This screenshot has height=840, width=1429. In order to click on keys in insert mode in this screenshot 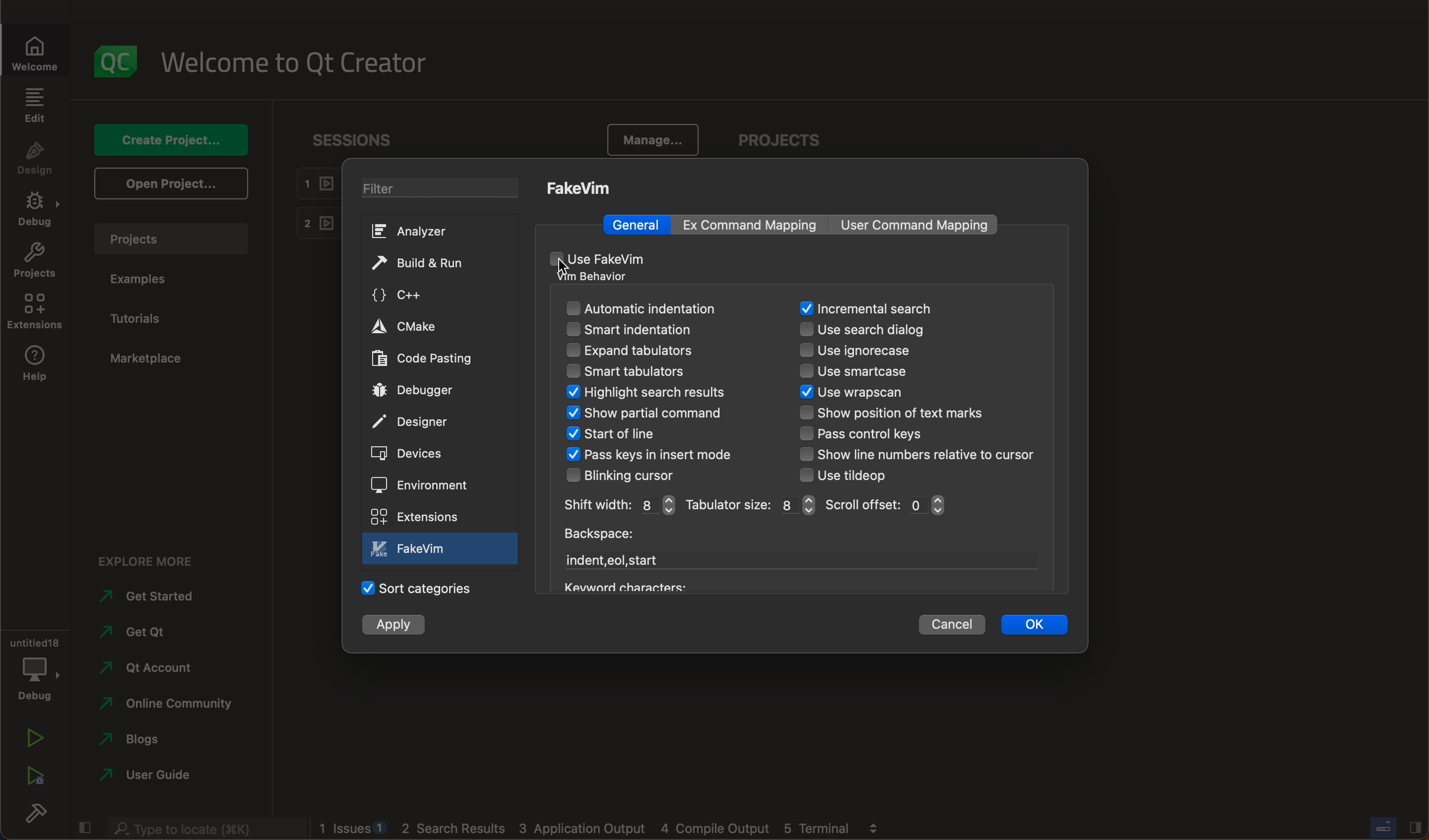, I will do `click(667, 456)`.